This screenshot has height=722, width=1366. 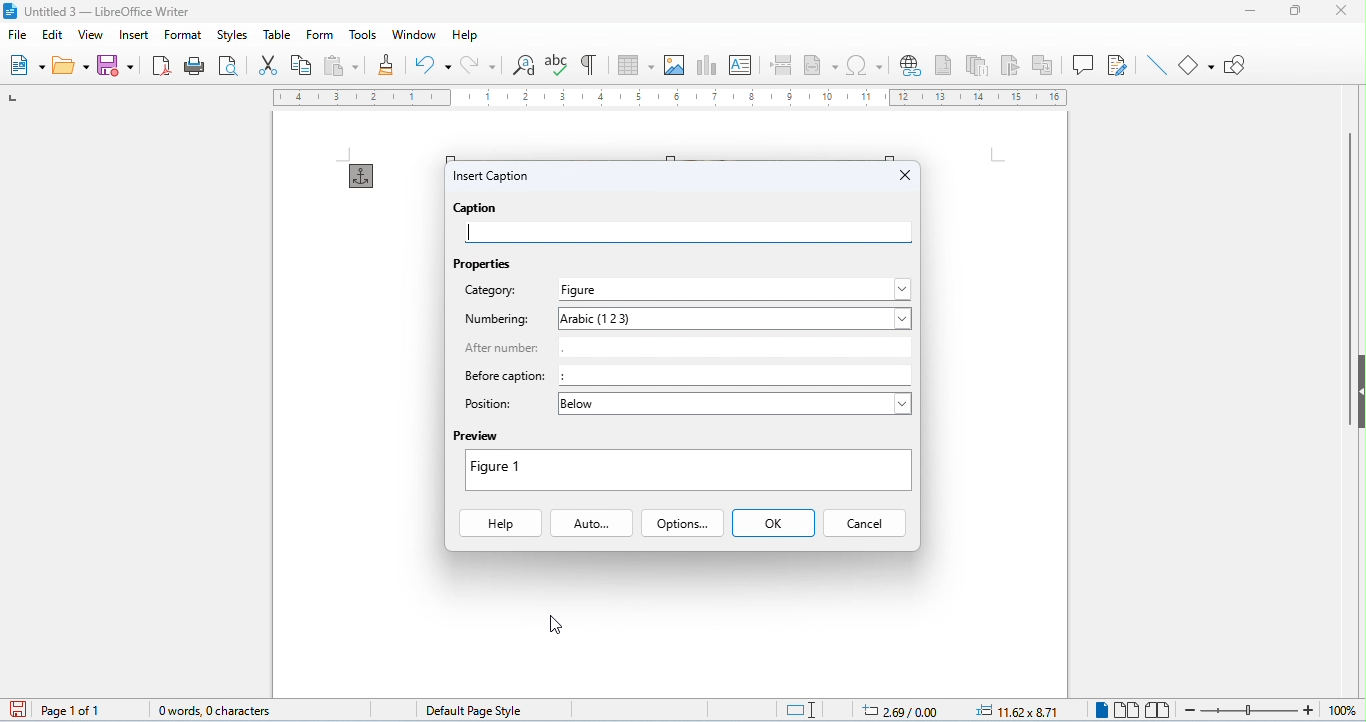 I want to click on word count, so click(x=207, y=707).